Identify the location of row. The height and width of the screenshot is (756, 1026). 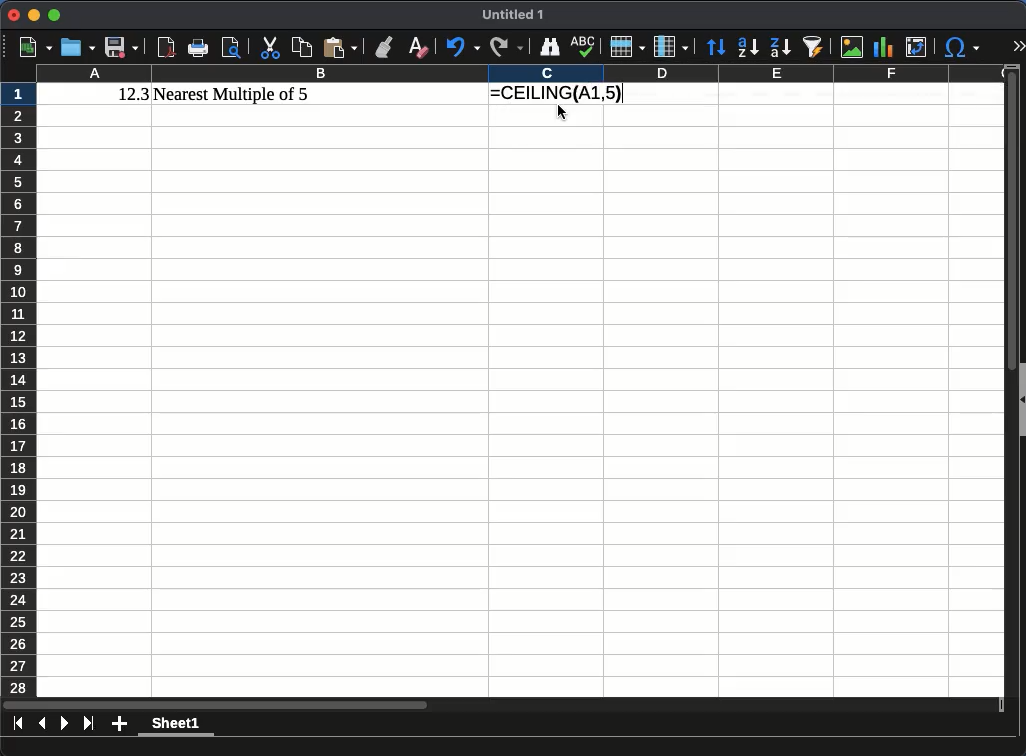
(626, 46).